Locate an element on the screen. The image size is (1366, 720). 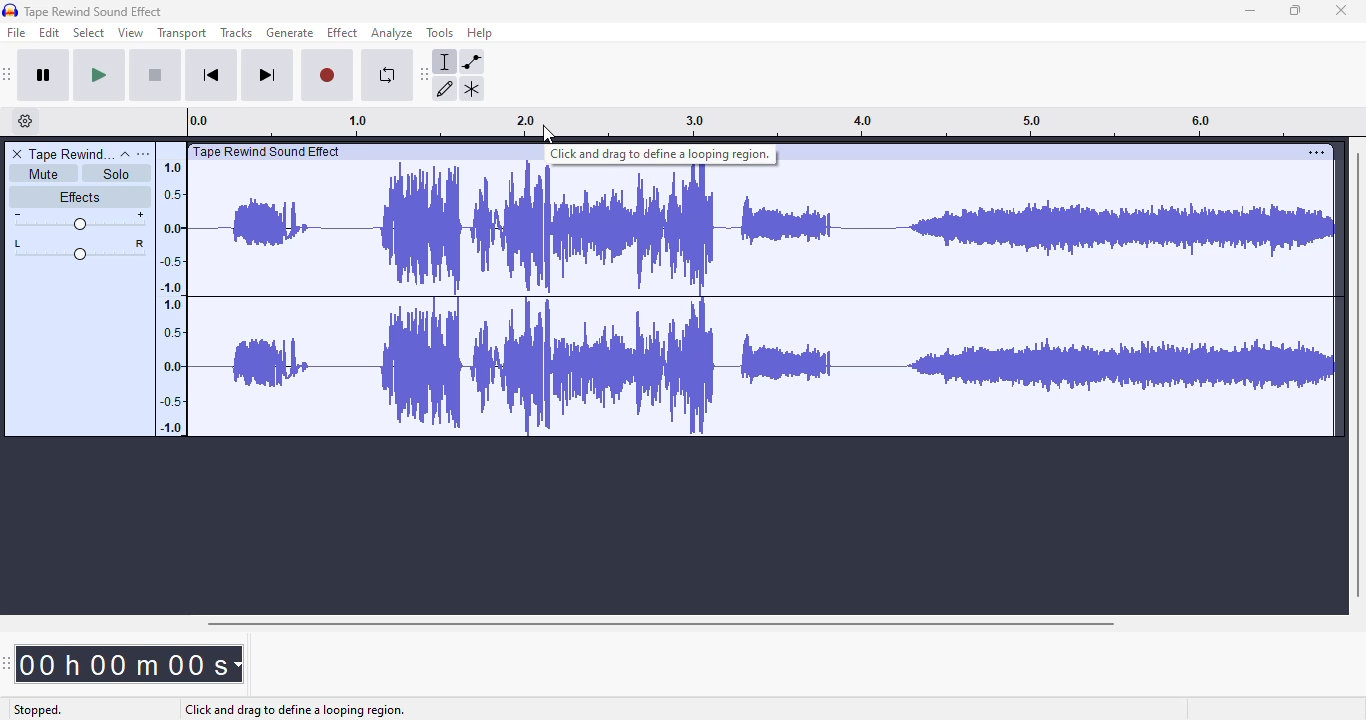
minimize is located at coordinates (1250, 11).